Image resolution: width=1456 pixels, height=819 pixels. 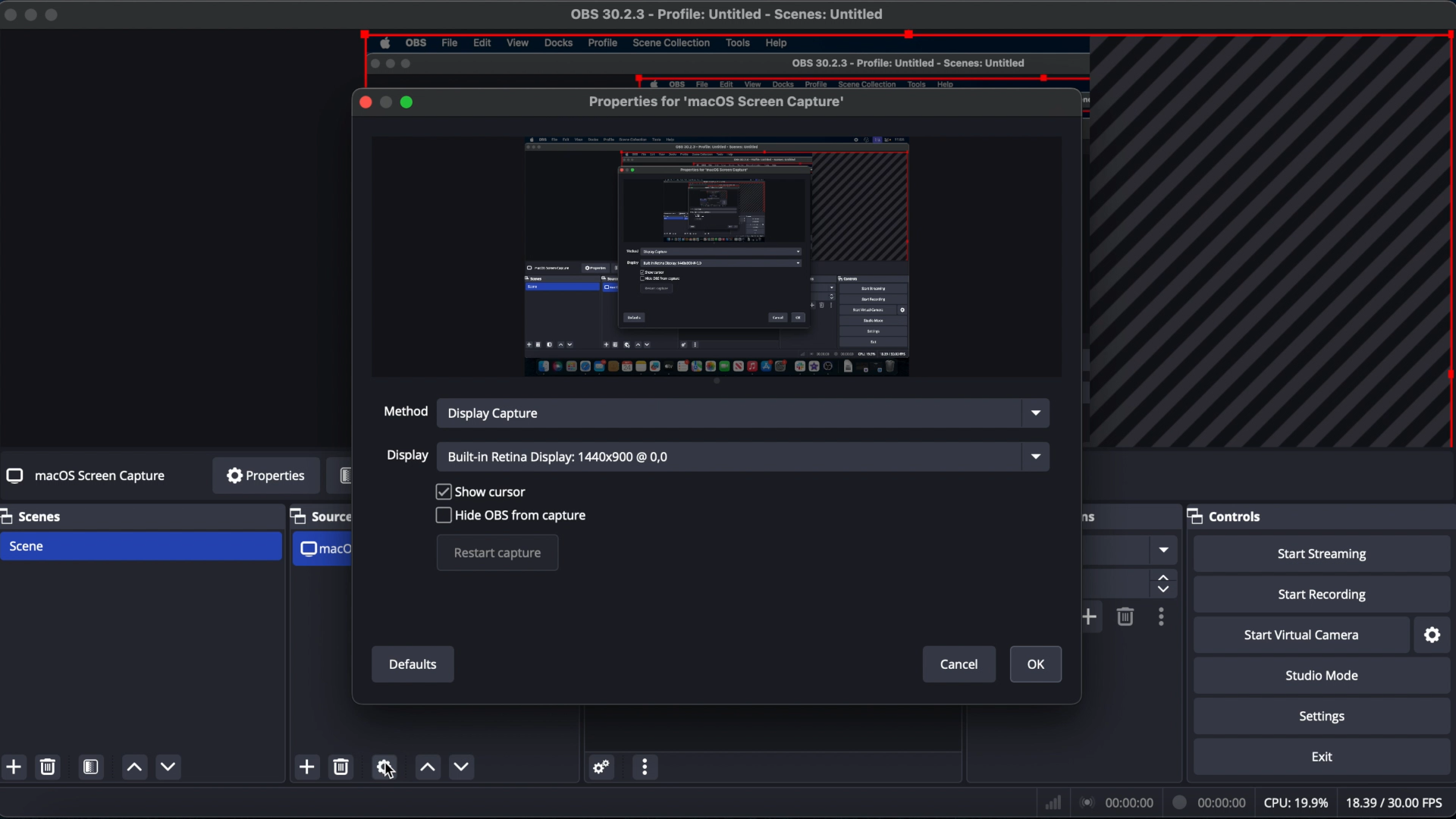 I want to click on maximize, so click(x=408, y=102).